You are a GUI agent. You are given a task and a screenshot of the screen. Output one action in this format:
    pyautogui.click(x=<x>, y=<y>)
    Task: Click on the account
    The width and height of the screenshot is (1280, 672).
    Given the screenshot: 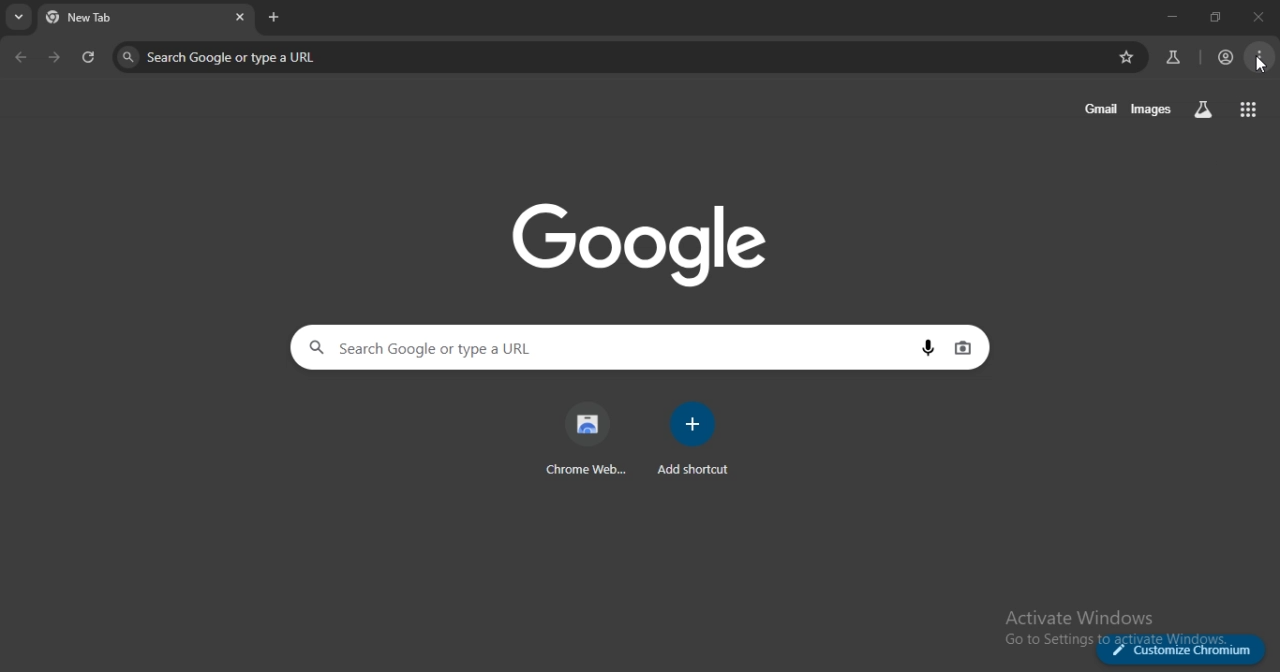 What is the action you would take?
    pyautogui.click(x=1223, y=58)
    